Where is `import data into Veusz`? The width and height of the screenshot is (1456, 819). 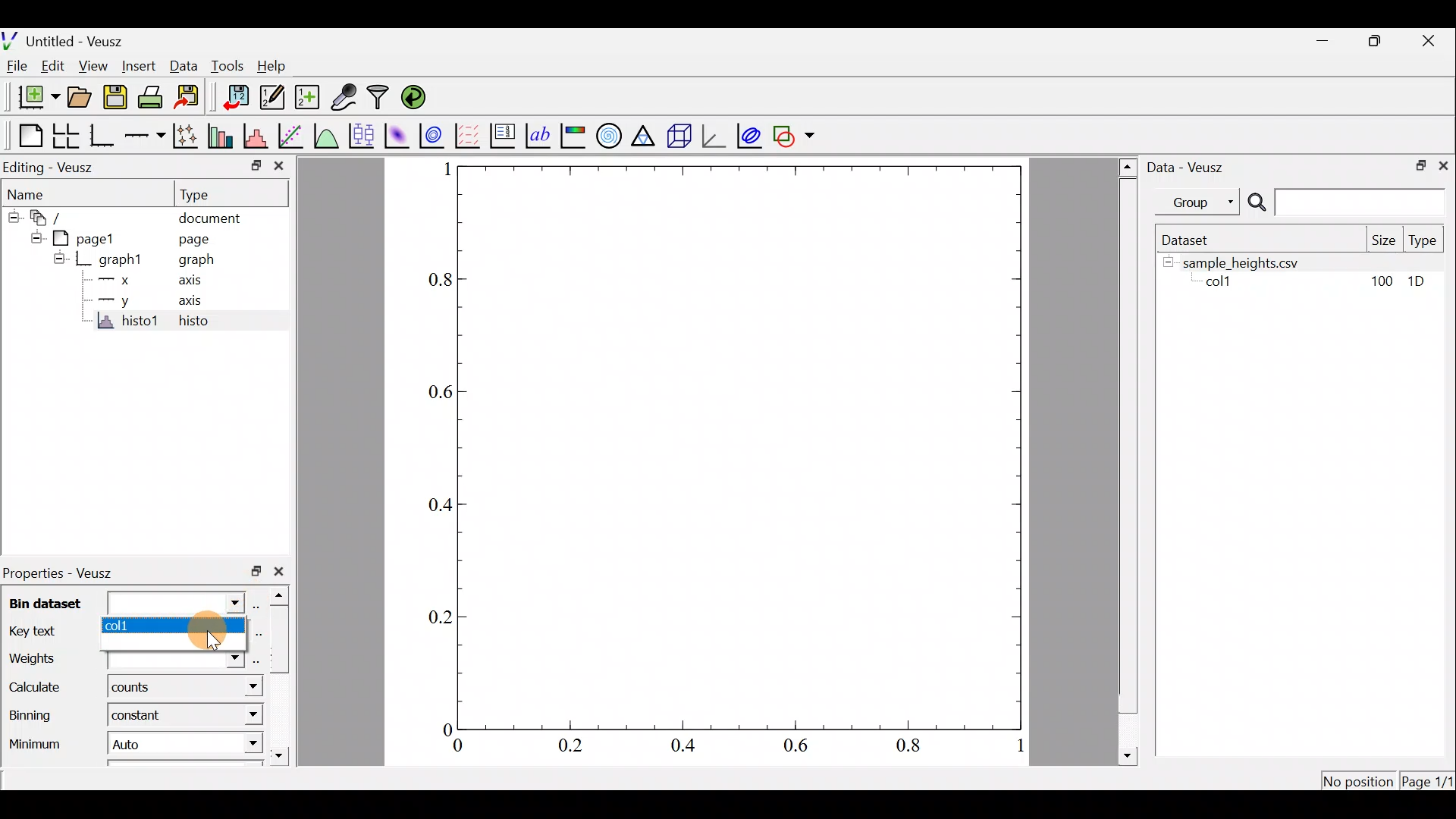
import data into Veusz is located at coordinates (234, 96).